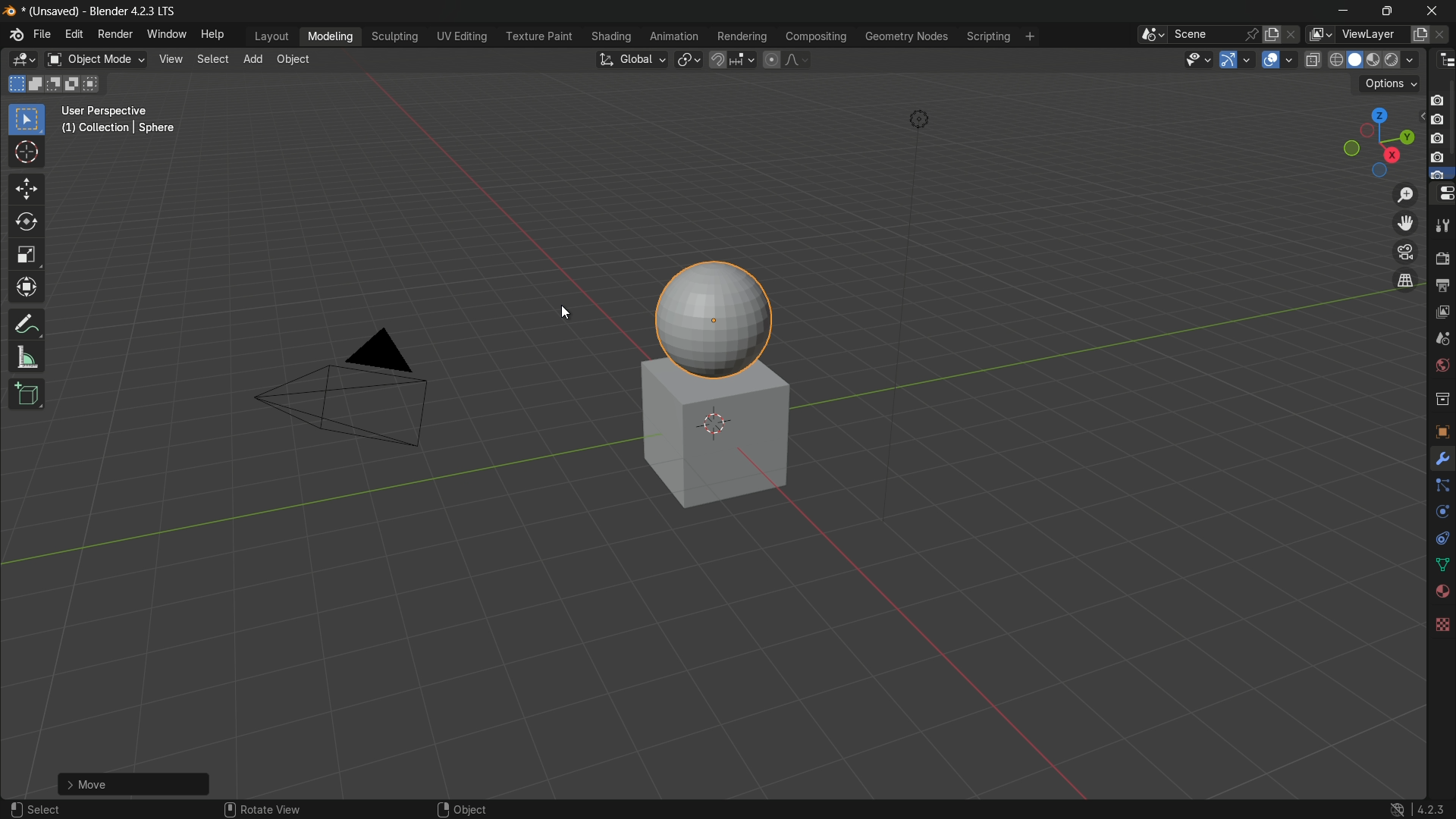 Image resolution: width=1456 pixels, height=819 pixels. Describe the element at coordinates (1389, 12) in the screenshot. I see `maximize or restore` at that location.